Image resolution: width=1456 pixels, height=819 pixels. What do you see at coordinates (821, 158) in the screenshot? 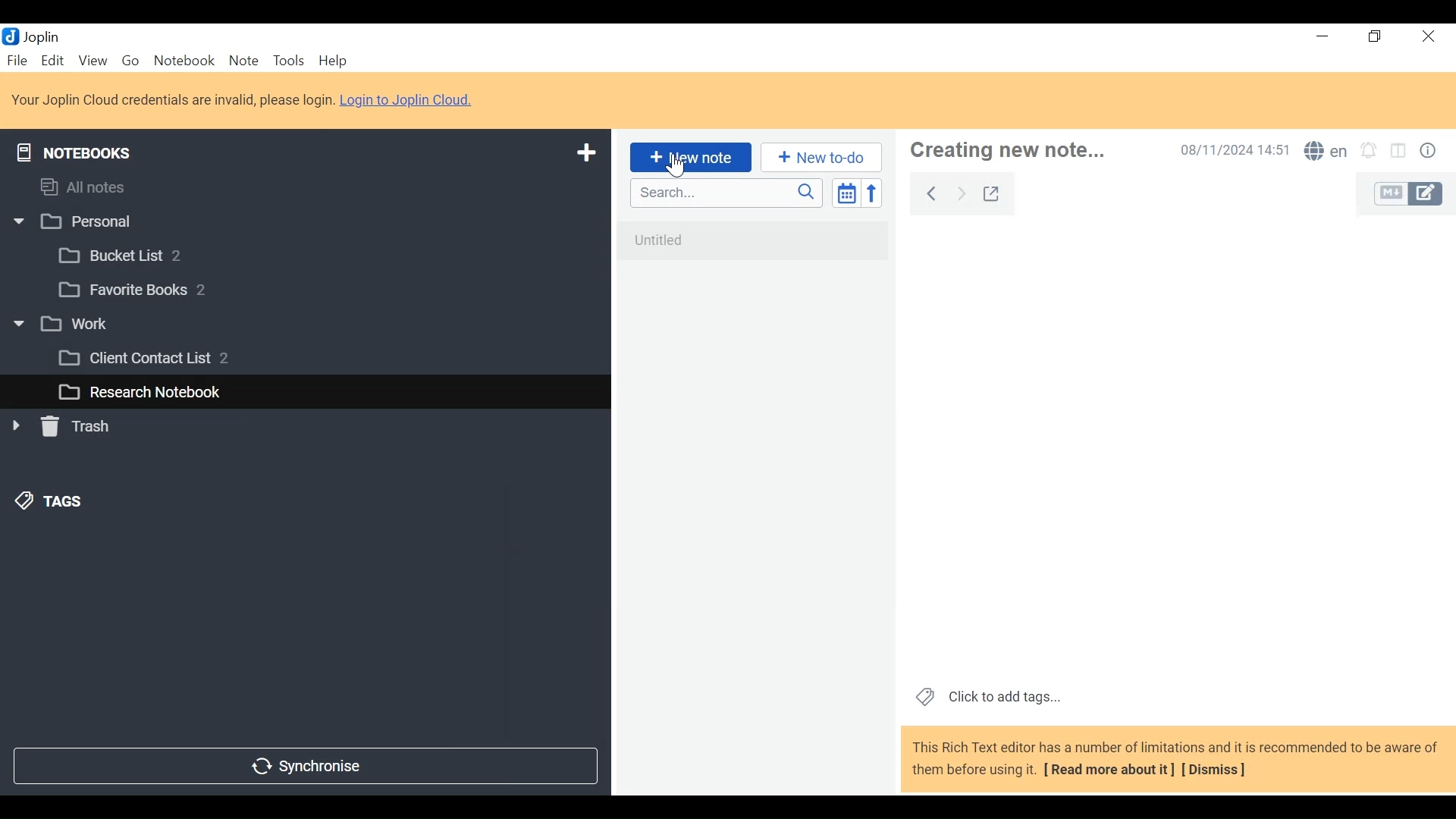
I see `Add New to Do` at bounding box center [821, 158].